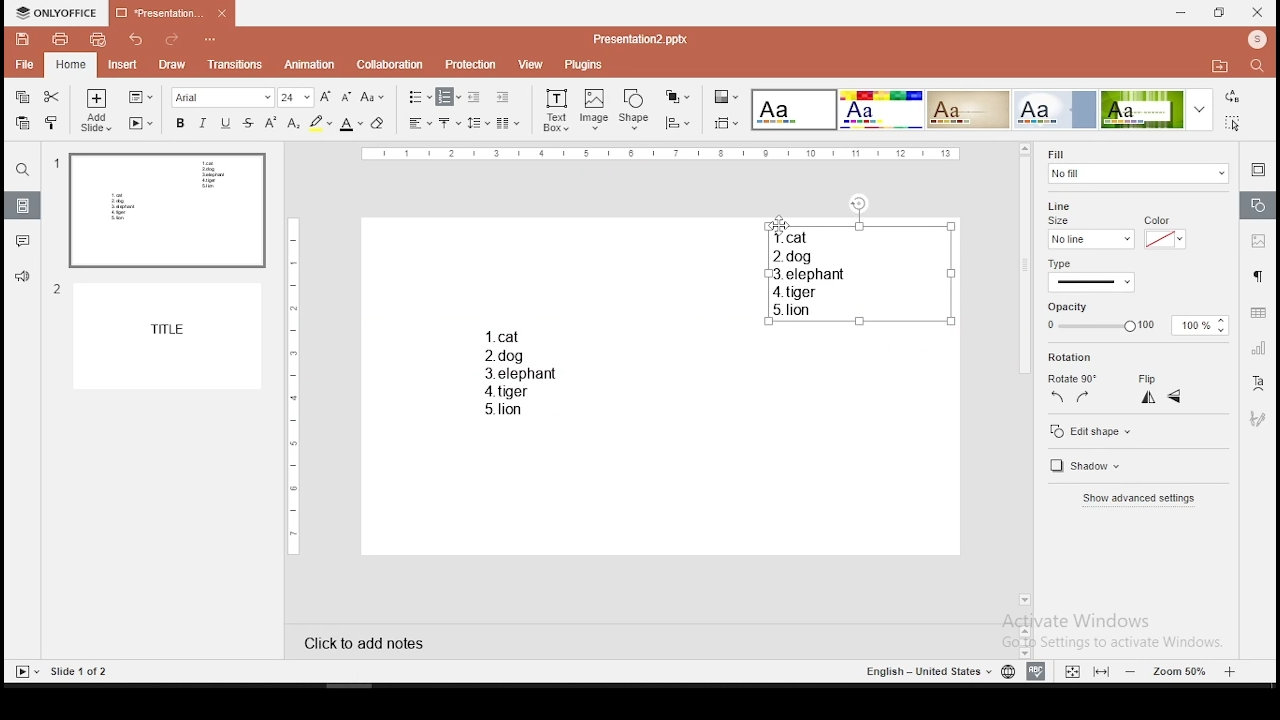 The height and width of the screenshot is (720, 1280). I want to click on print file, so click(57, 39).